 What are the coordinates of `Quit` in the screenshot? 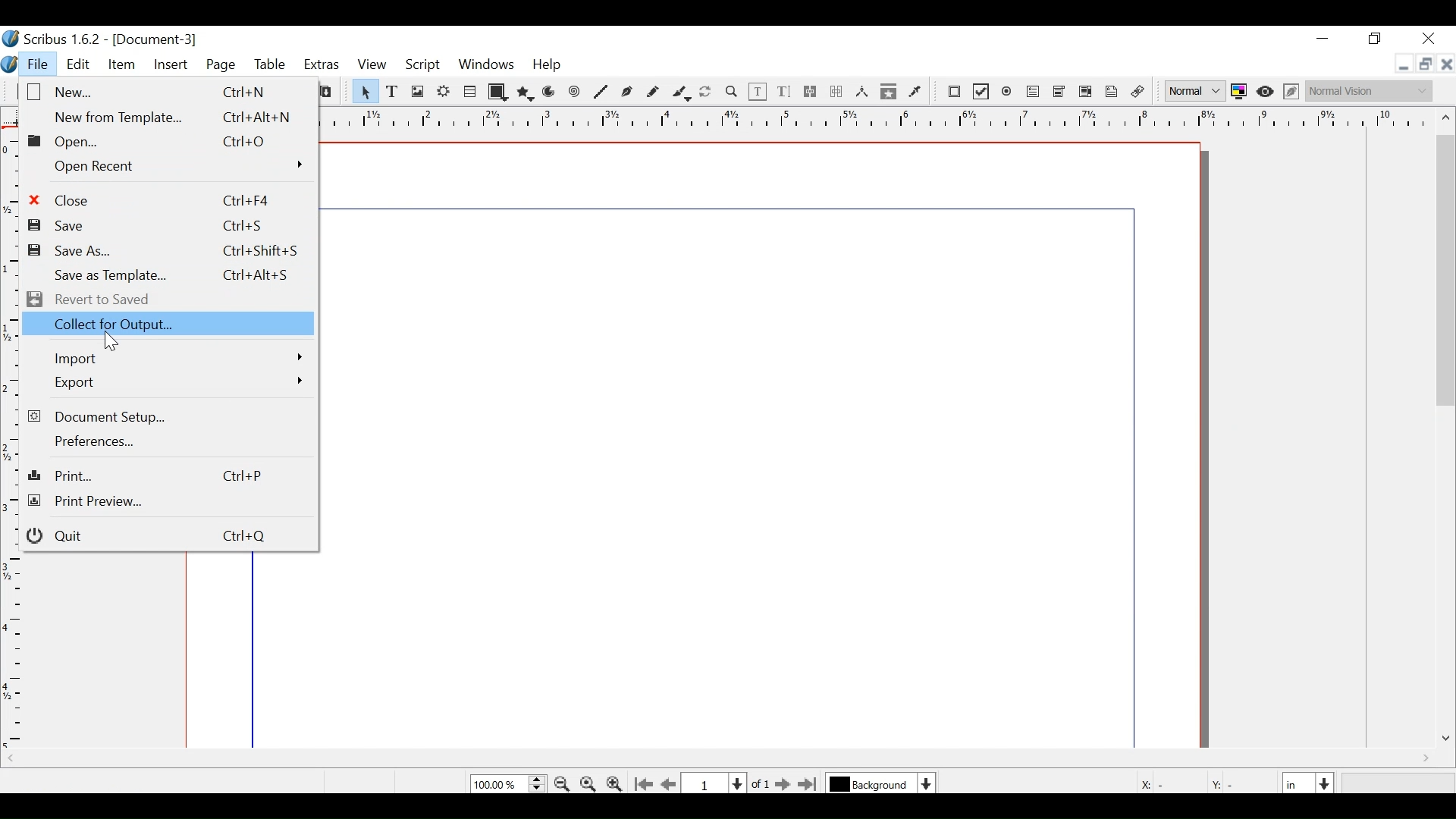 It's located at (162, 535).